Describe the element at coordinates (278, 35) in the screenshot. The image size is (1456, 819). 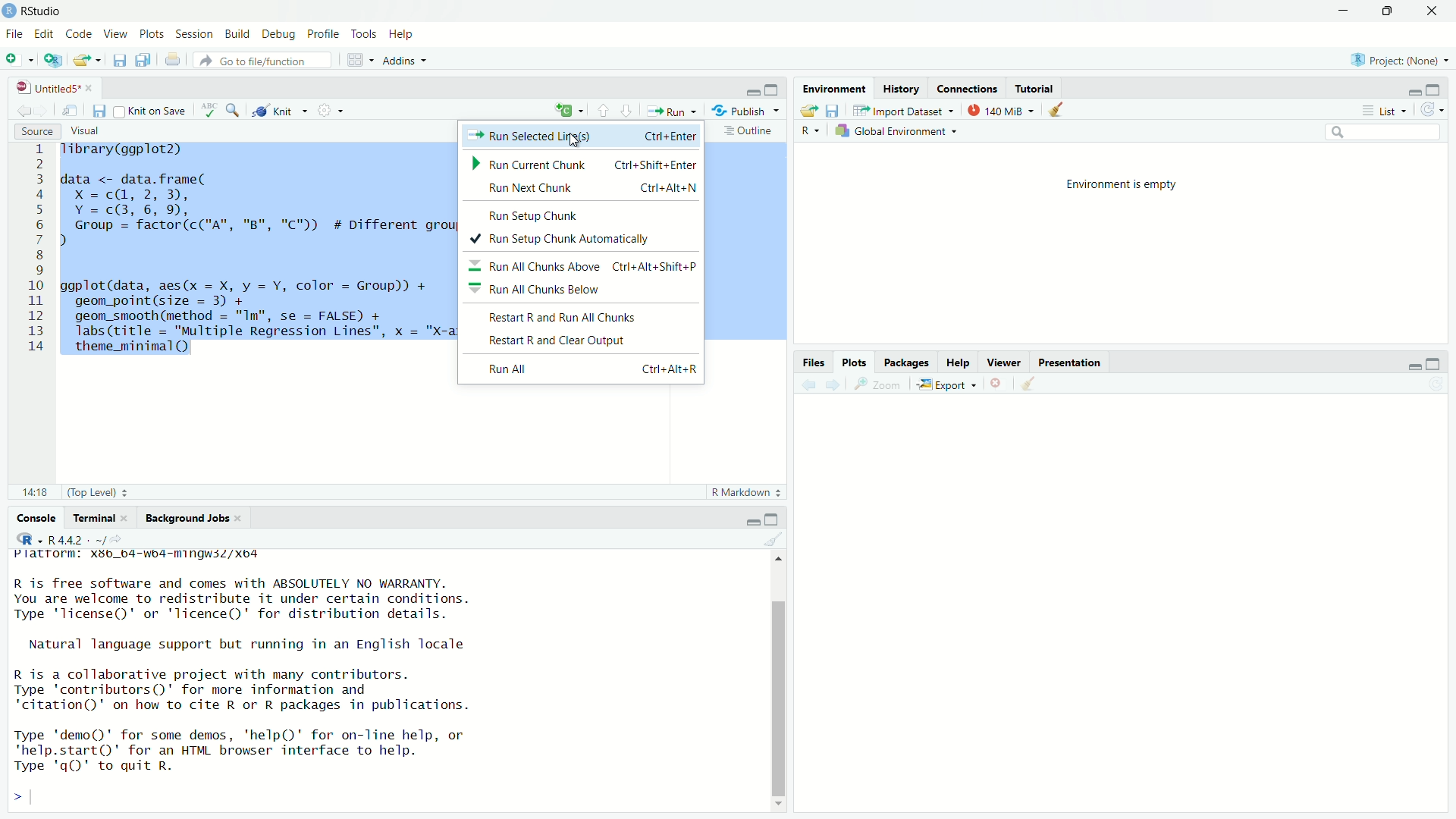
I see `Debug` at that location.